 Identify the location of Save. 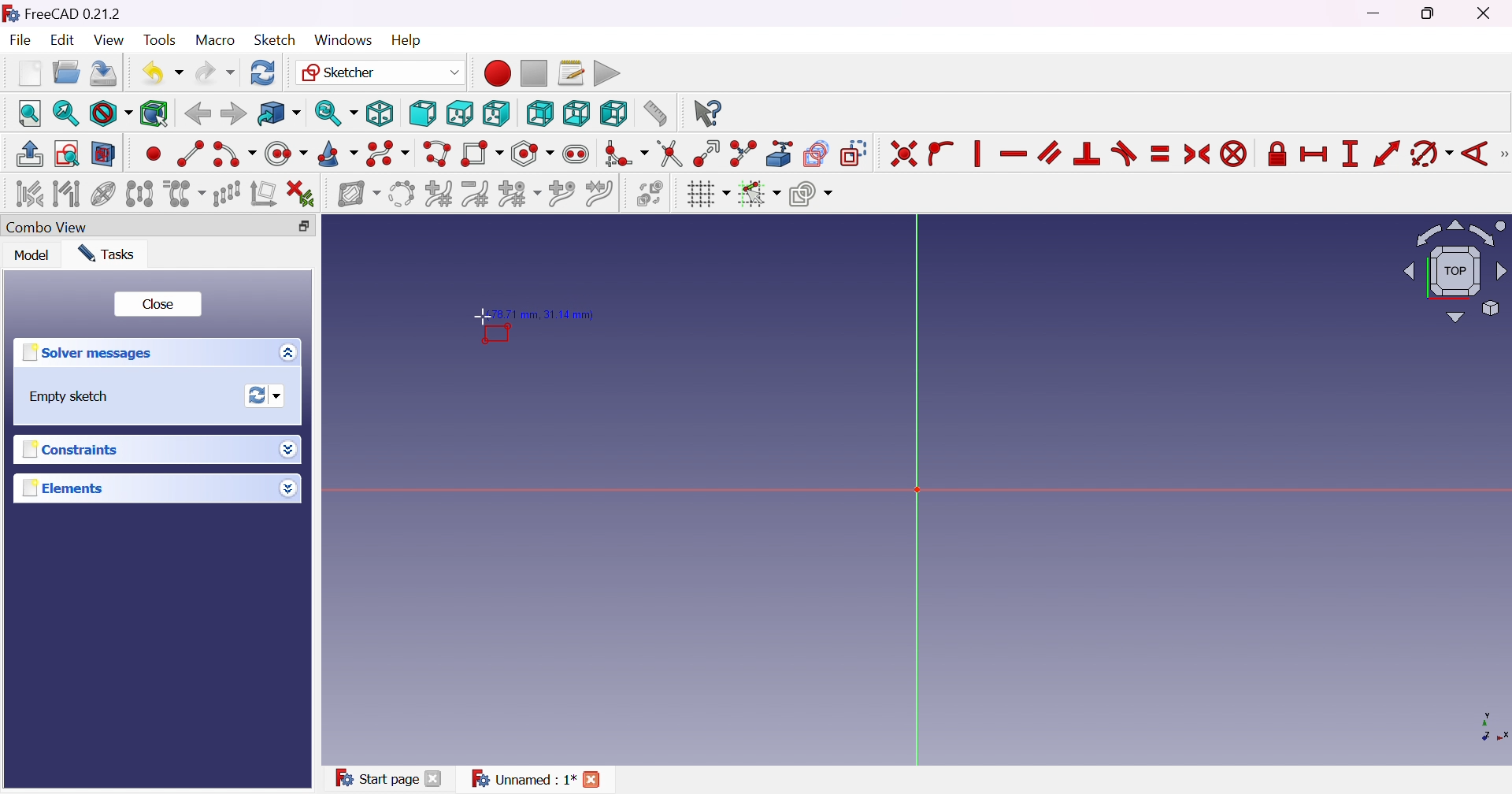
(102, 76).